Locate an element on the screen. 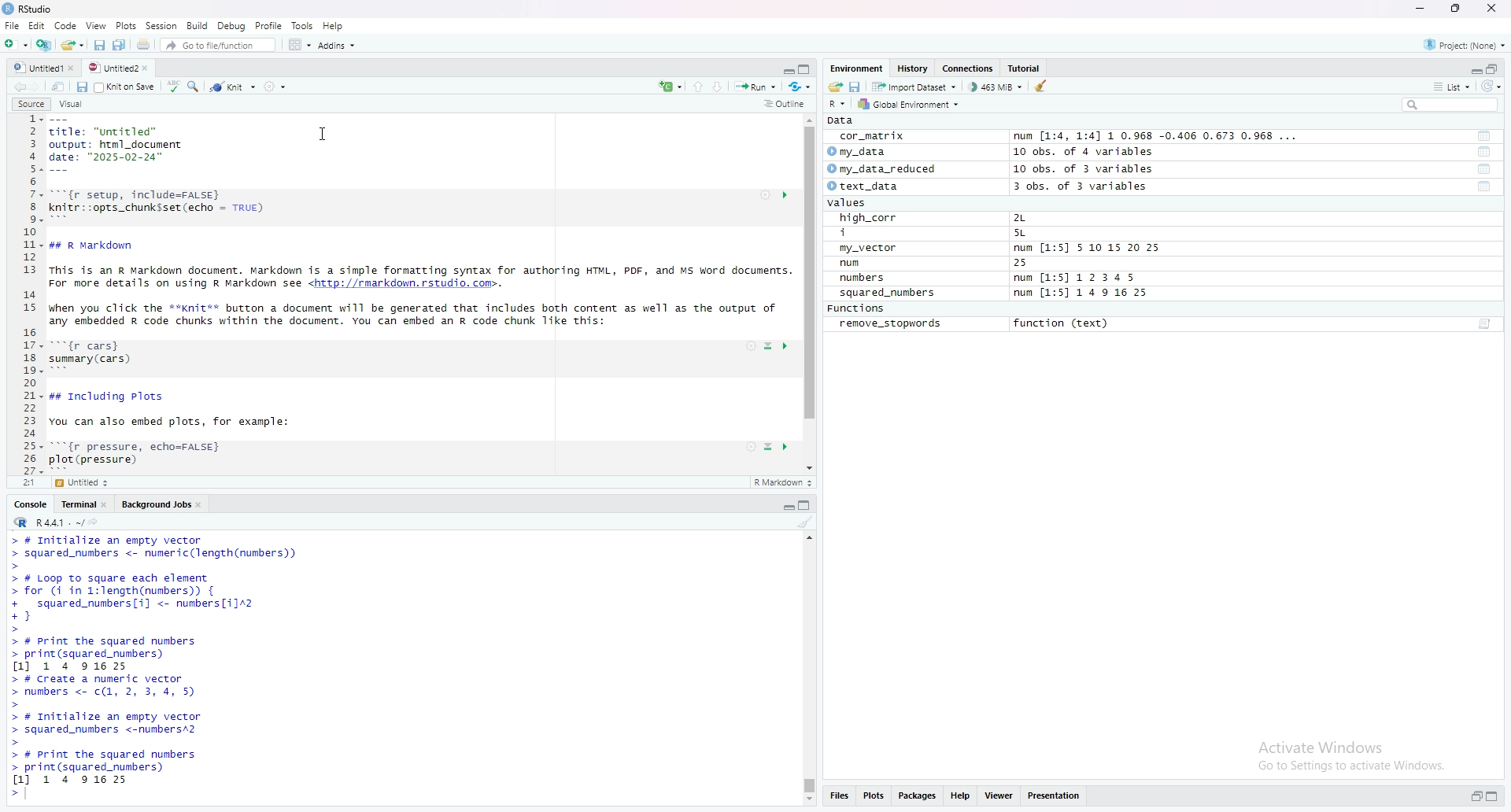 The image size is (1511, 812). R is located at coordinates (833, 105).